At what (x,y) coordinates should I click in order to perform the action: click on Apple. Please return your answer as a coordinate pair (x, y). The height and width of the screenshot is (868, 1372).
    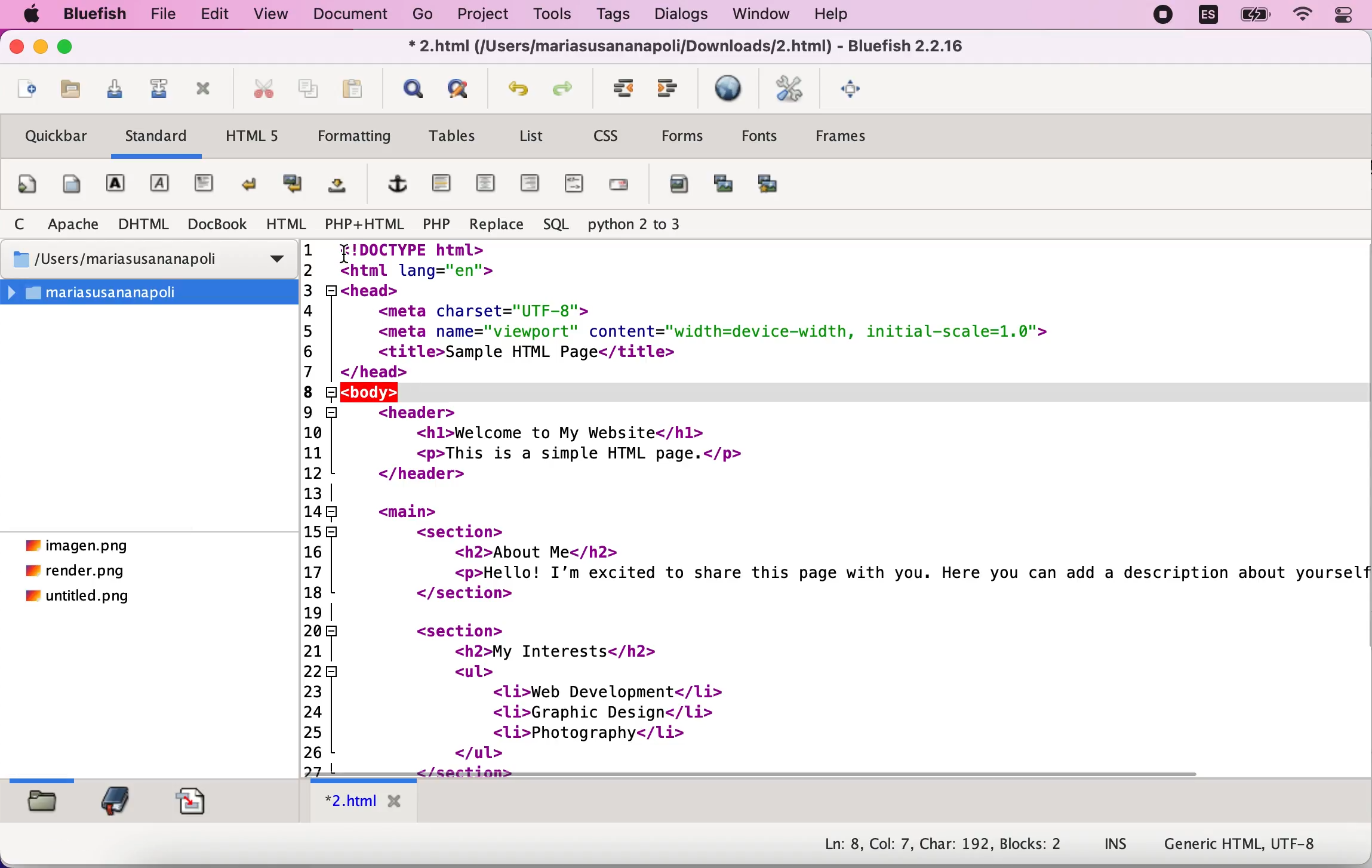
    Looking at the image, I should click on (30, 16).